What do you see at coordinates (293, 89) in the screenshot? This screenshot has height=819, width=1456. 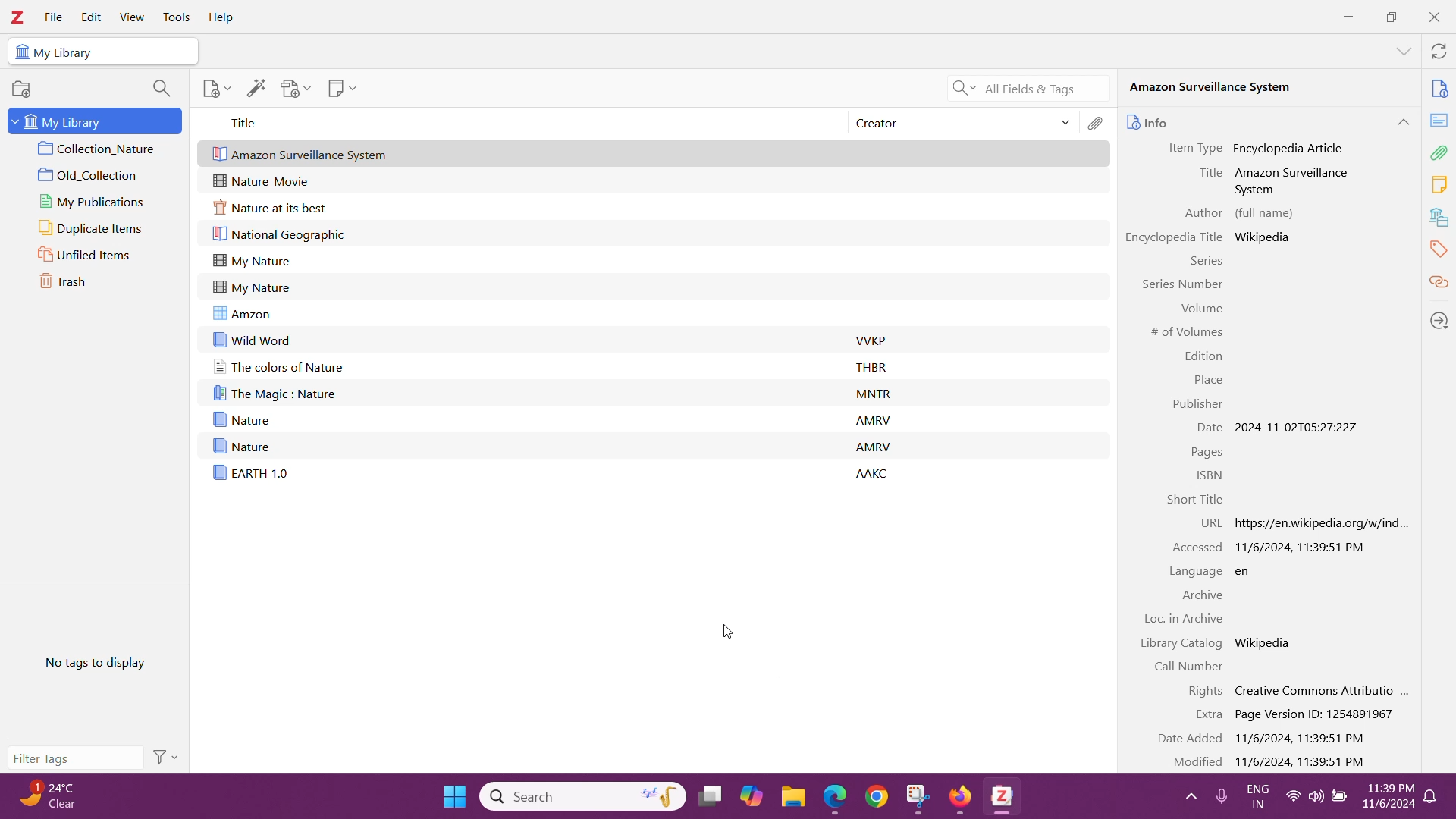 I see `Add Attachment` at bounding box center [293, 89].